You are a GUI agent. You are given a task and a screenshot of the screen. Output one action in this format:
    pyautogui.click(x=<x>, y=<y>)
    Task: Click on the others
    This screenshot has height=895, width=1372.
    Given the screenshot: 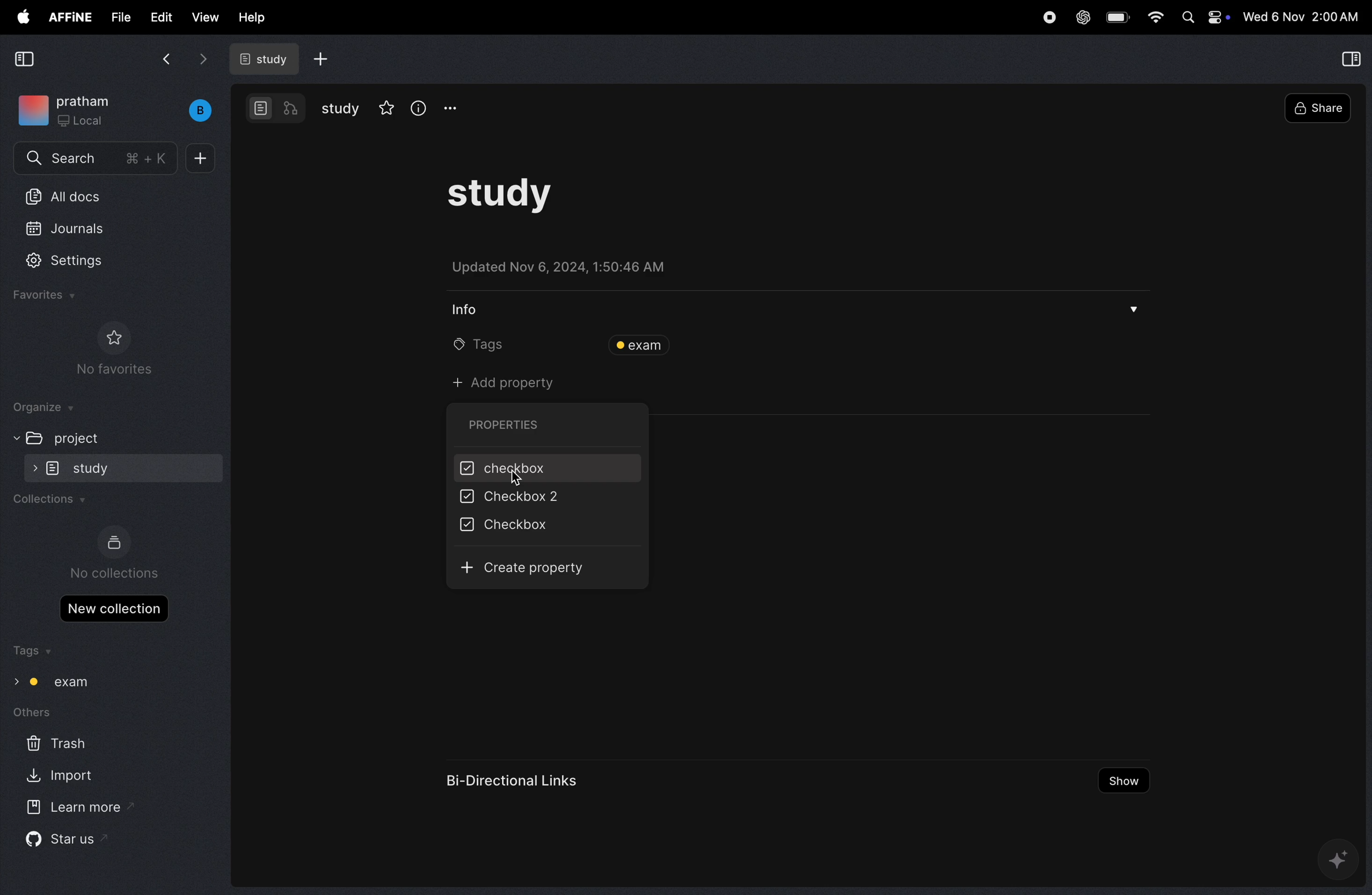 What is the action you would take?
    pyautogui.click(x=33, y=712)
    